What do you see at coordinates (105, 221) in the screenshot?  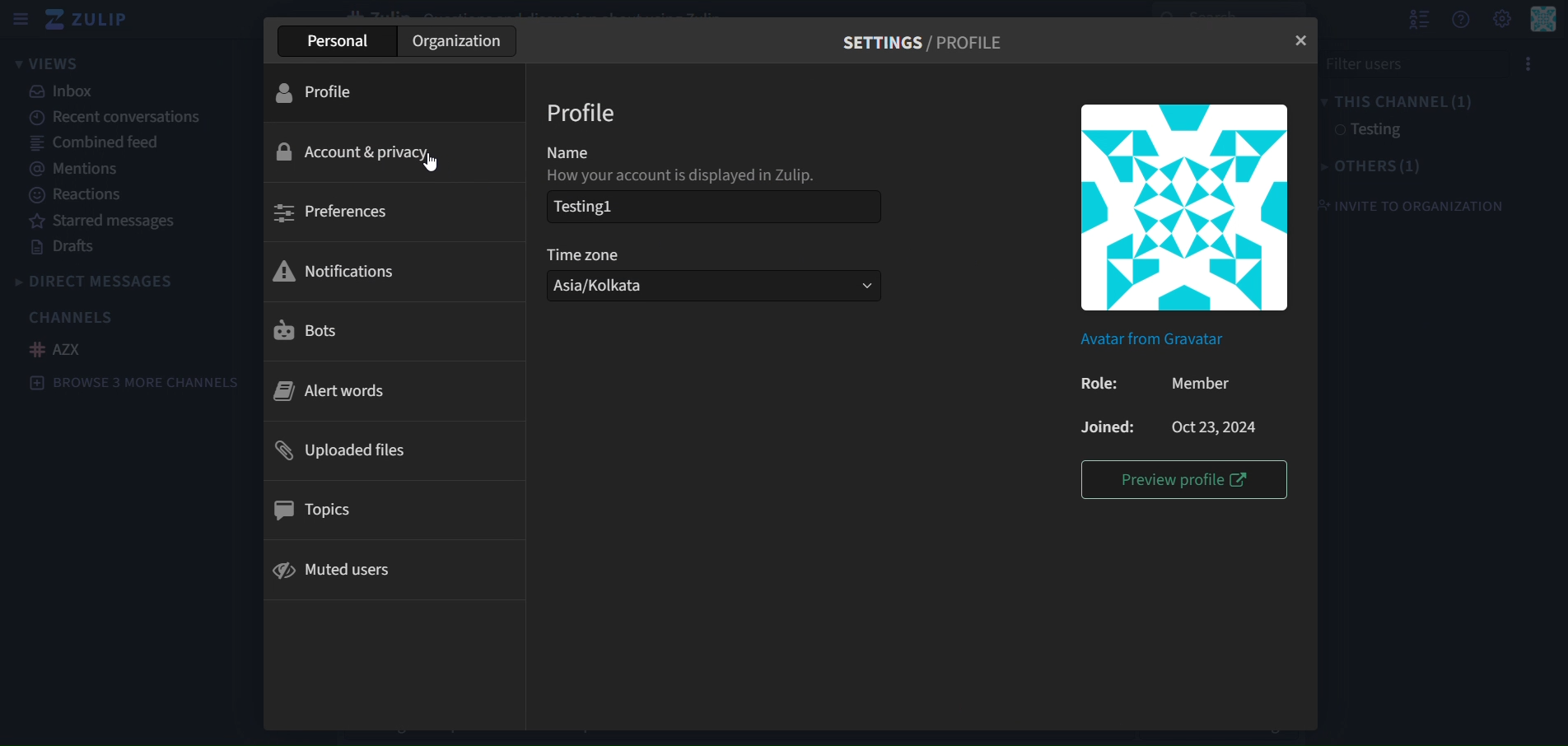 I see `starred messages` at bounding box center [105, 221].